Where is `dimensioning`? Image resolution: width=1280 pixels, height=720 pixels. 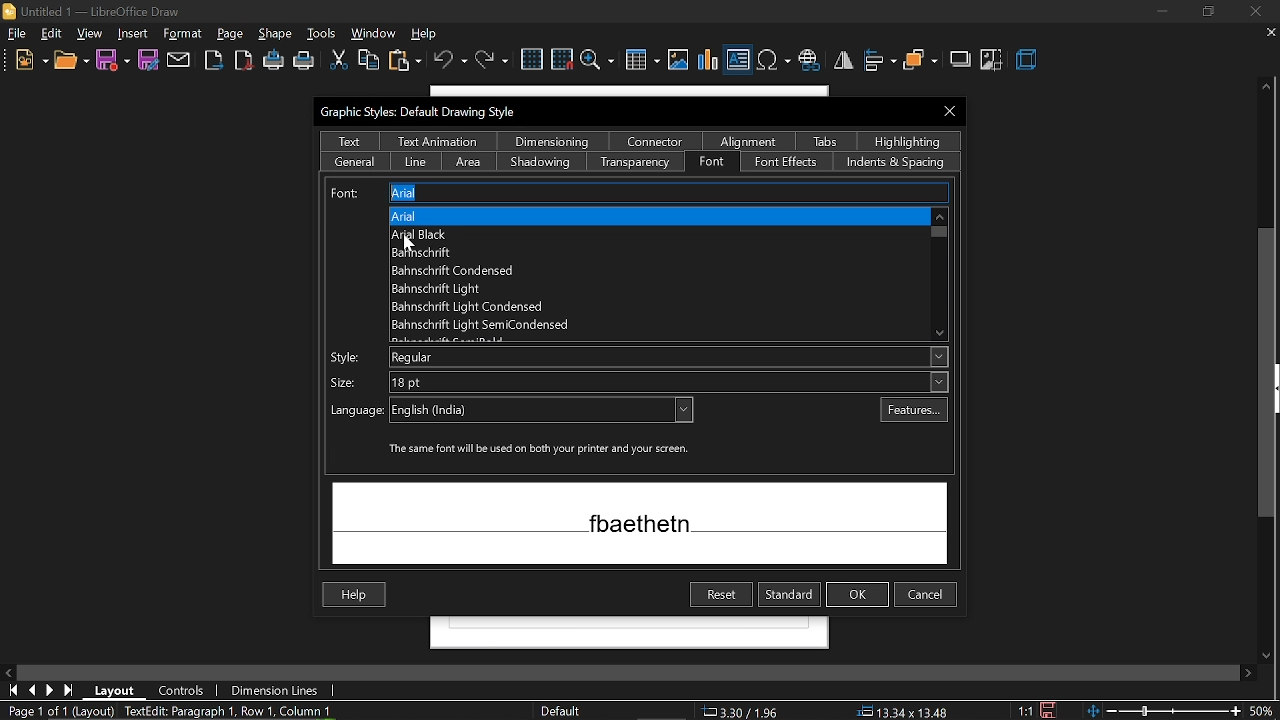
dimensioning is located at coordinates (553, 141).